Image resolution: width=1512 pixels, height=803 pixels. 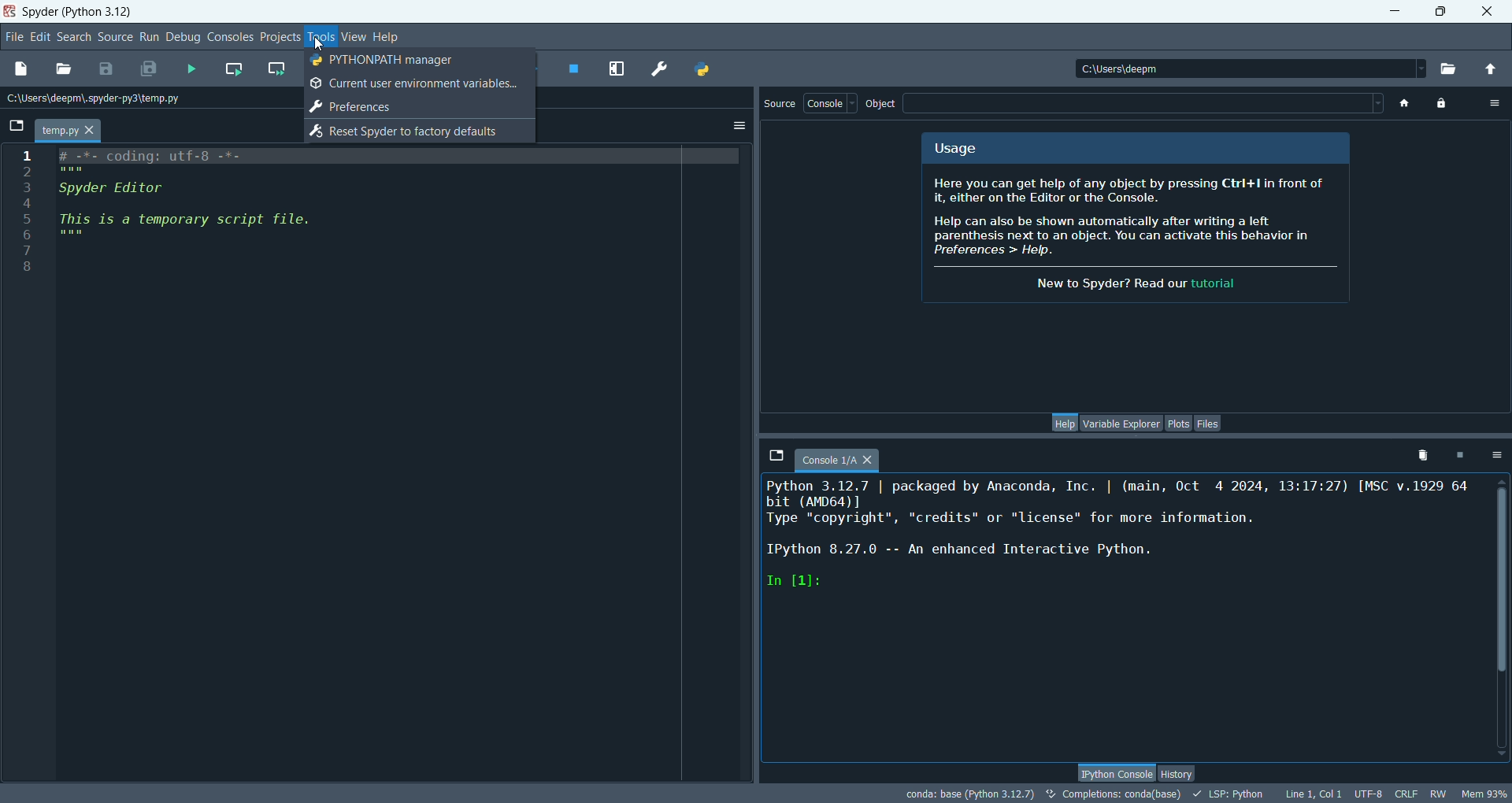 I want to click on Mem, so click(x=1483, y=792).